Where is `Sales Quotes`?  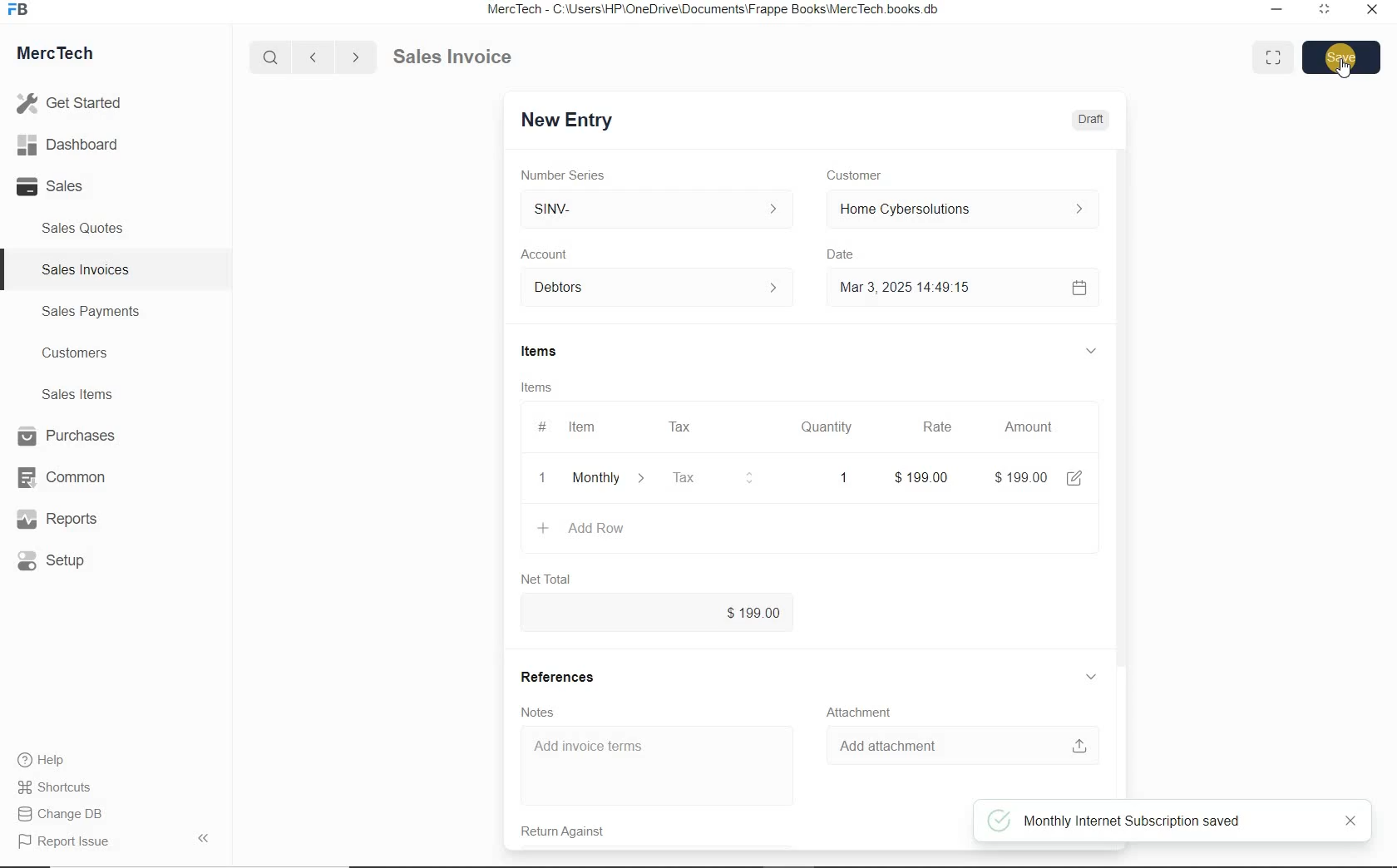
Sales Quotes is located at coordinates (86, 228).